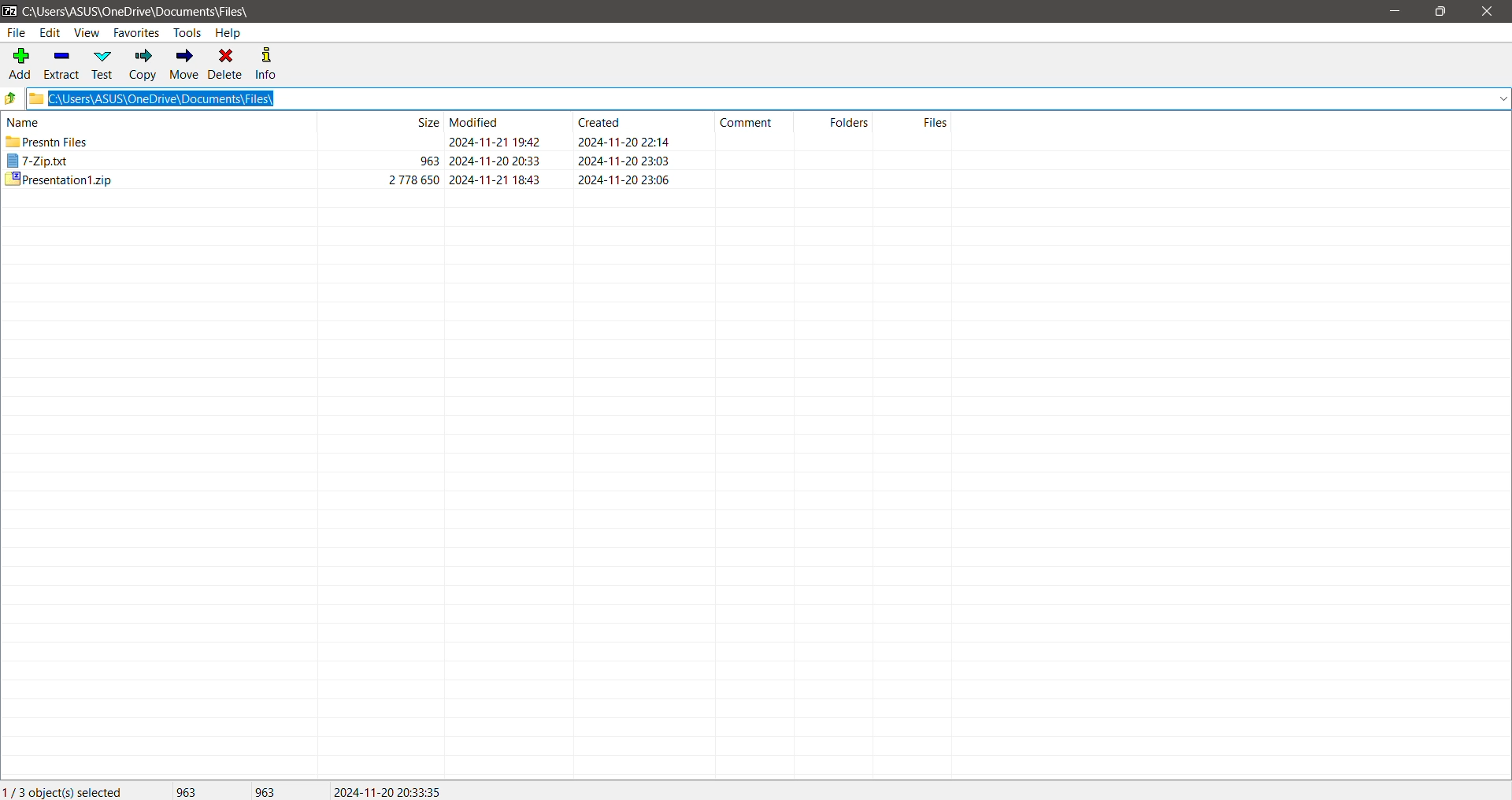 The height and width of the screenshot is (800, 1512). Describe the element at coordinates (227, 64) in the screenshot. I see `Delete` at that location.